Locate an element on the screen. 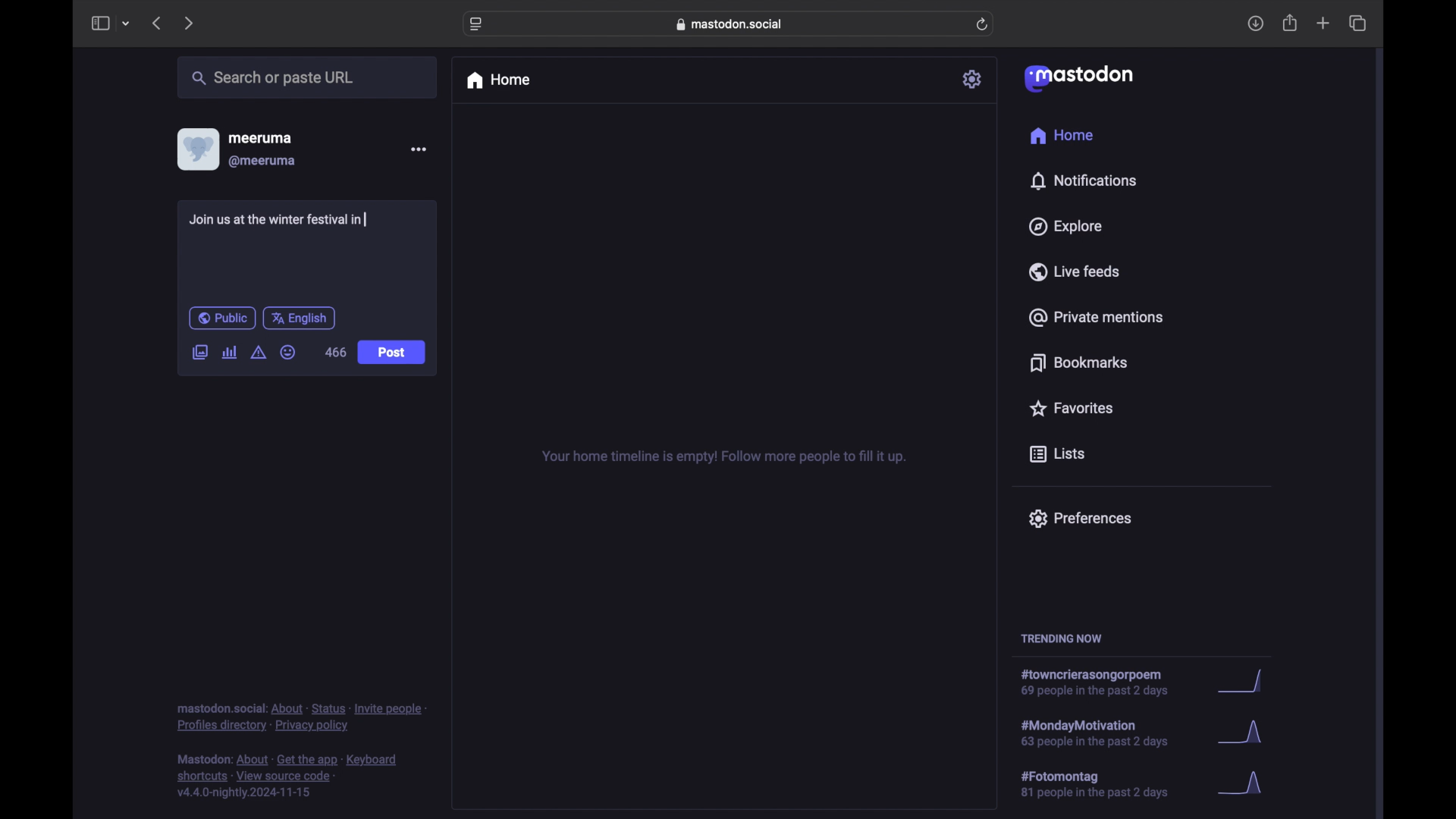 The image size is (1456, 819). emoji is located at coordinates (288, 353).